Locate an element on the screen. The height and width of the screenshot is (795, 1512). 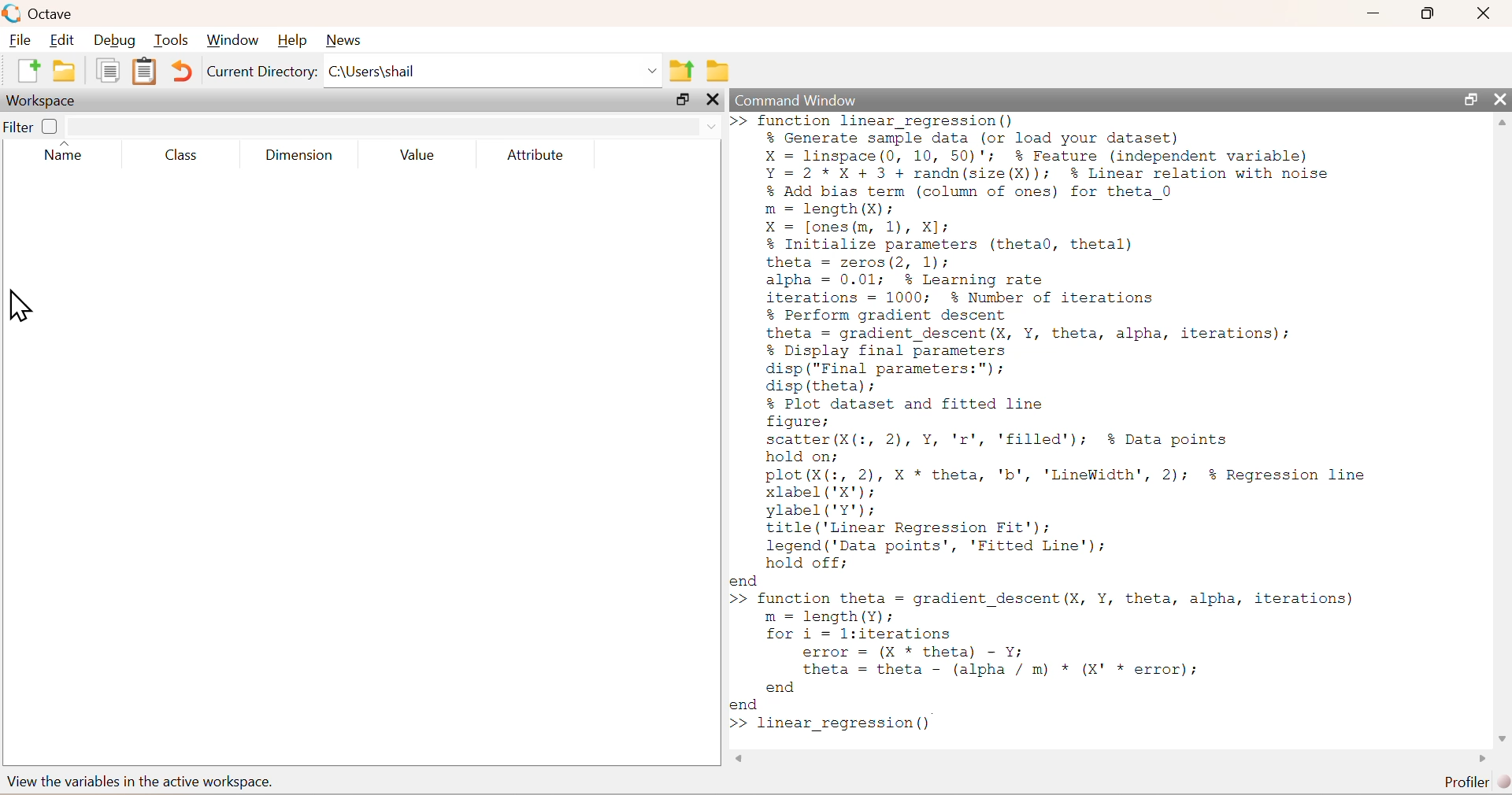
Current Directory is located at coordinates (262, 72).